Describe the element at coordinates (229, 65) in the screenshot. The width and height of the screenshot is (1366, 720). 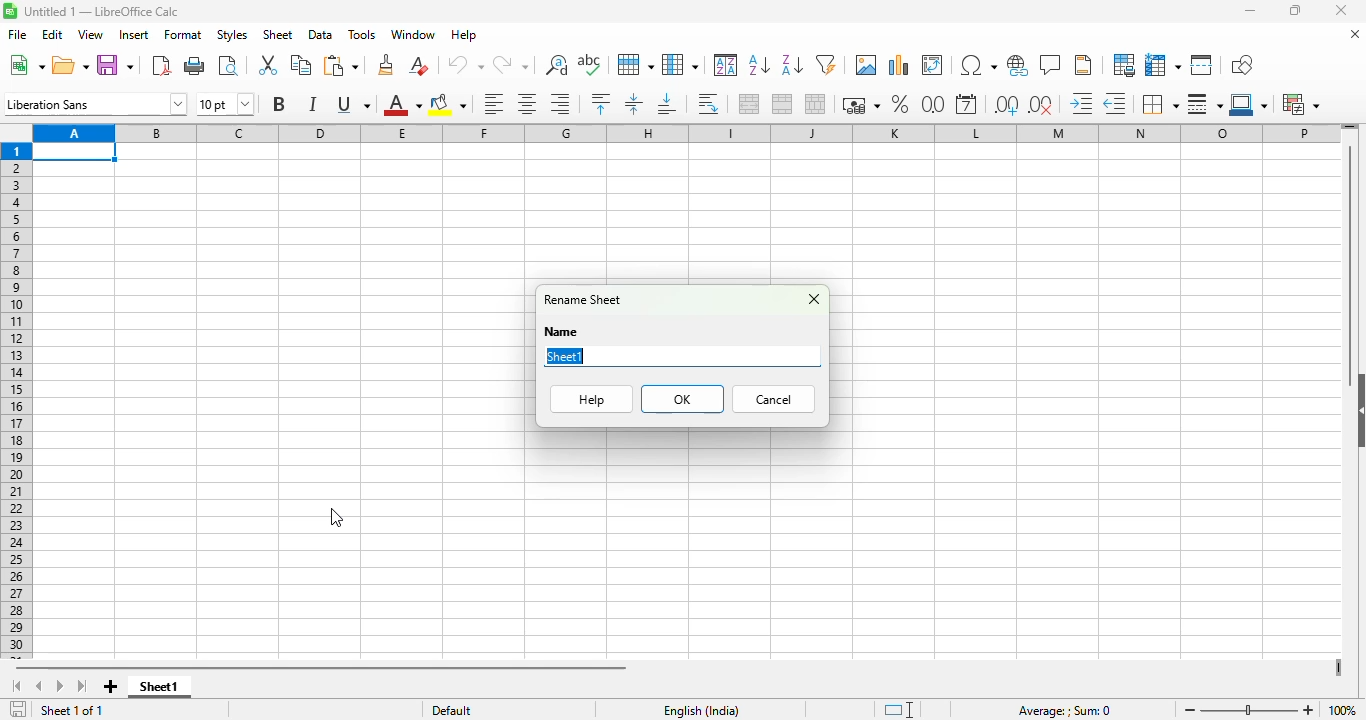
I see `toggle print preview` at that location.